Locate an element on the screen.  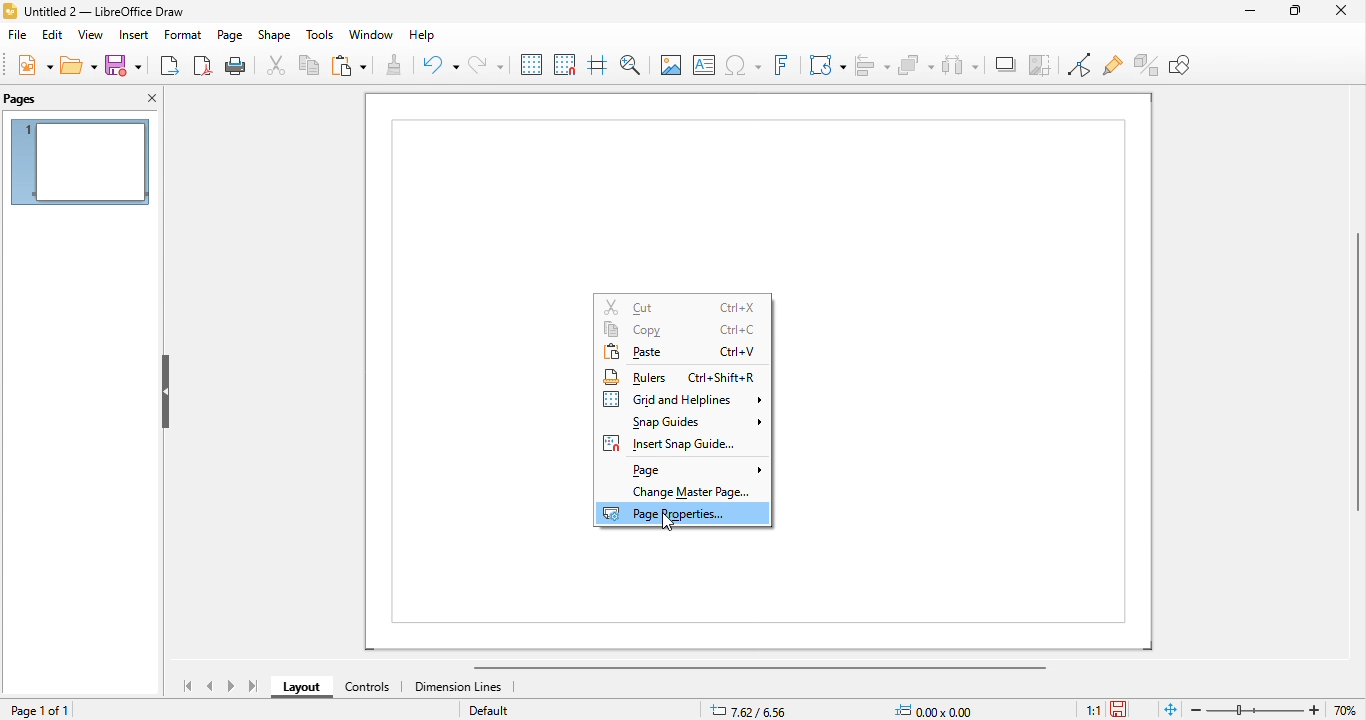
redo is located at coordinates (484, 65).